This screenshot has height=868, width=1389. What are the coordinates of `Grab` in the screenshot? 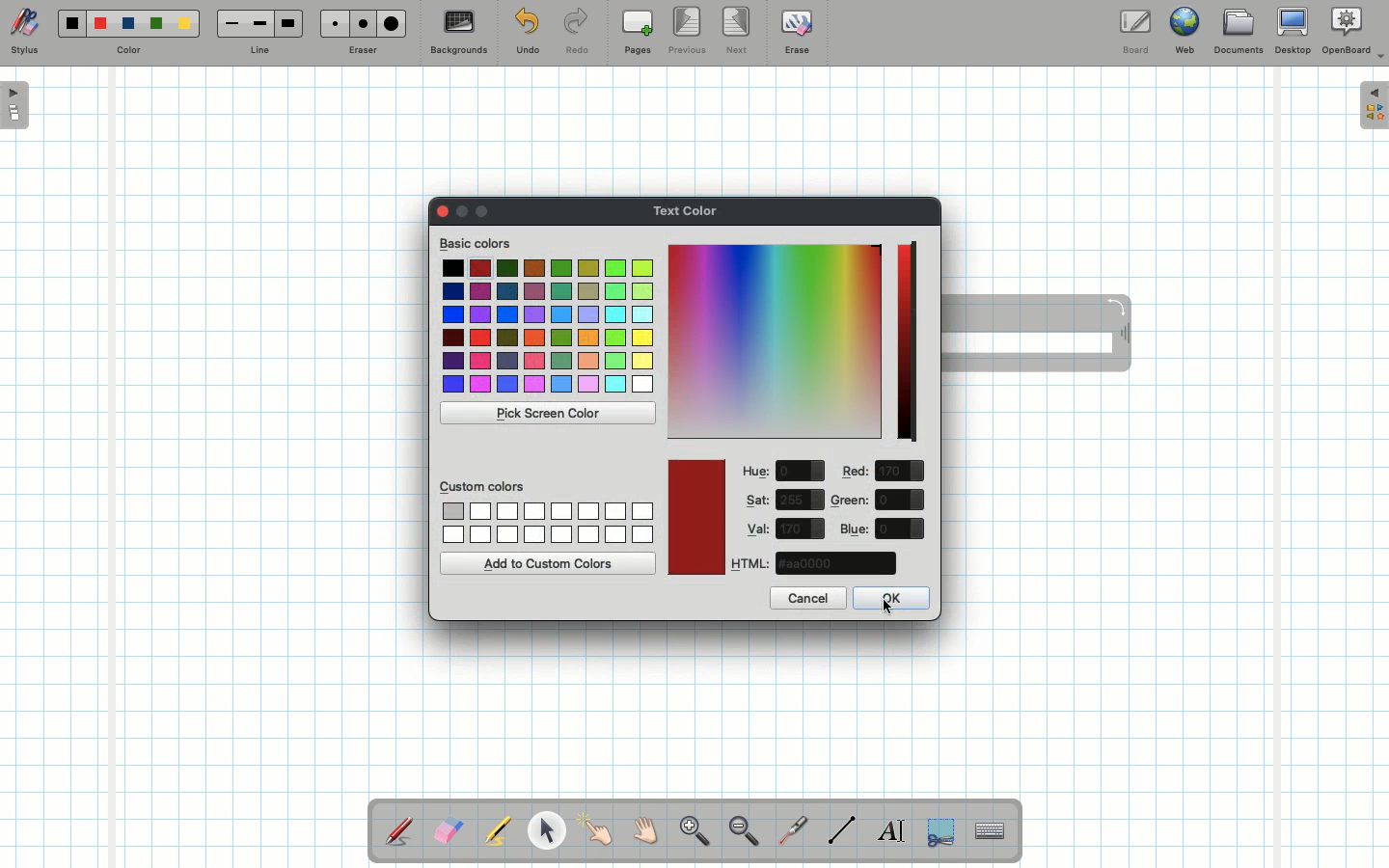 It's located at (646, 833).